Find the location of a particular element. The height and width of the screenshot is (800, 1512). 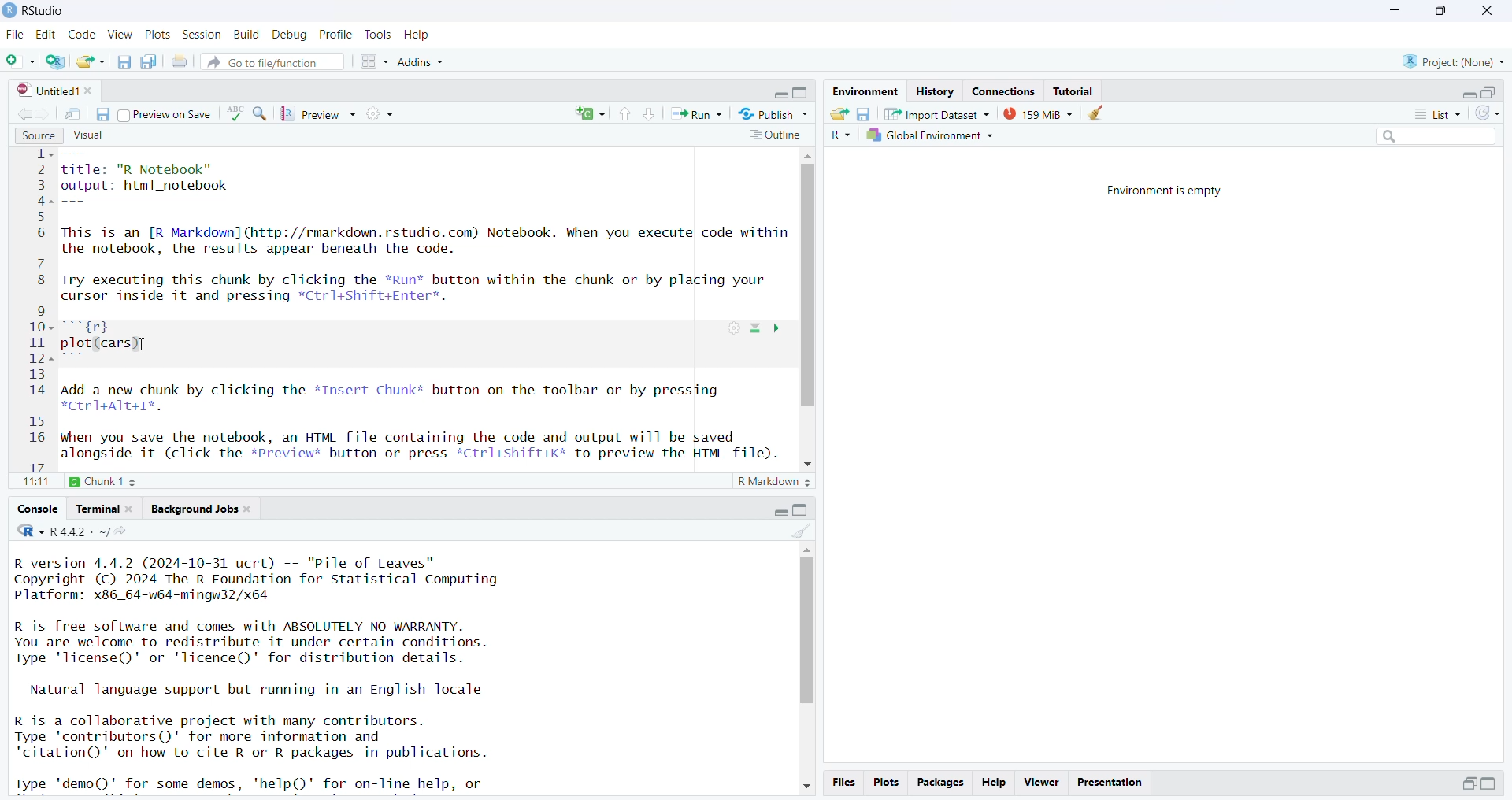

rerun the previous code region is located at coordinates (589, 114).